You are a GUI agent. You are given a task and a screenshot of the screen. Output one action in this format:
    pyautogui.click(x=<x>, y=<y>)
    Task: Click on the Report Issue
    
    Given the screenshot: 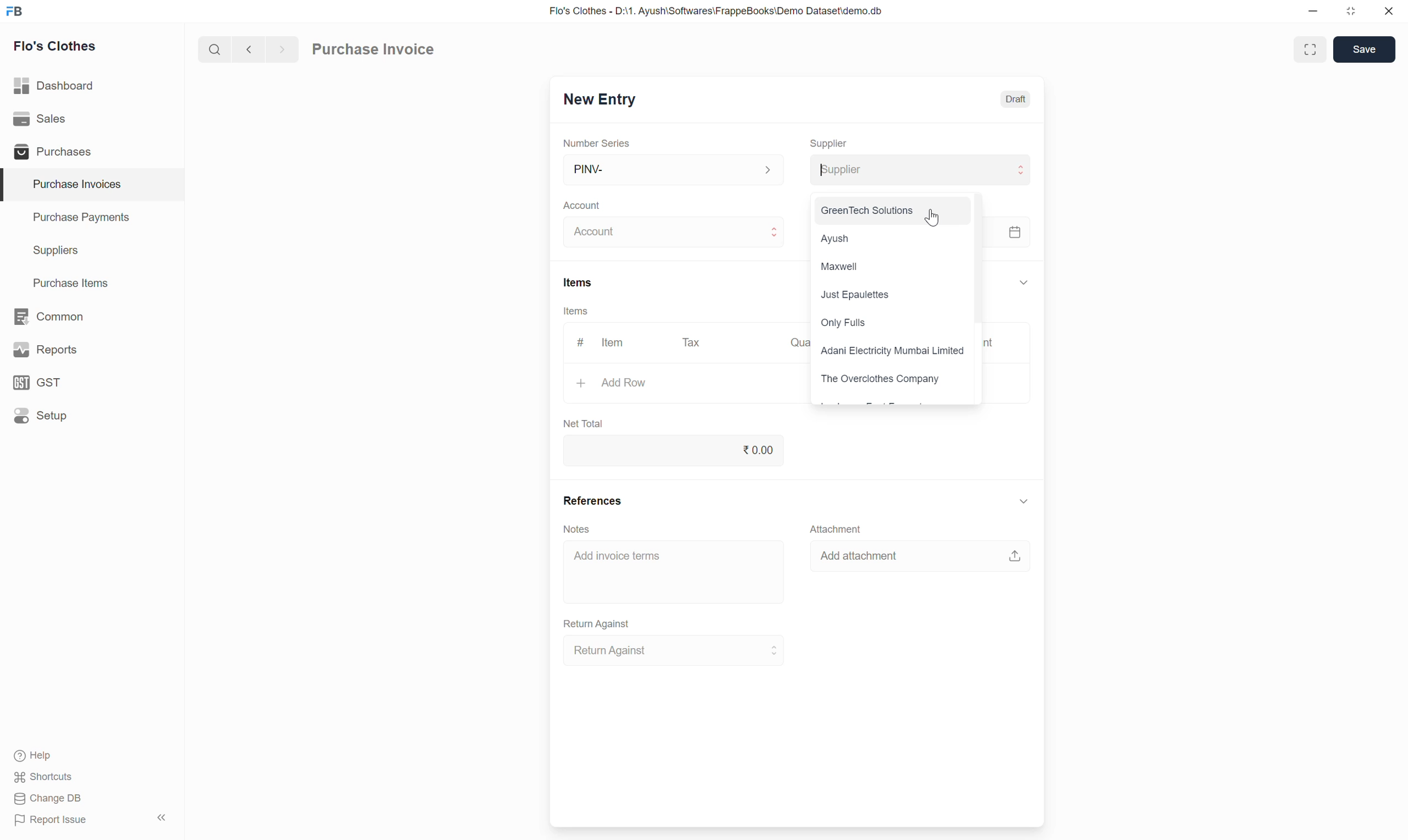 What is the action you would take?
    pyautogui.click(x=51, y=820)
    